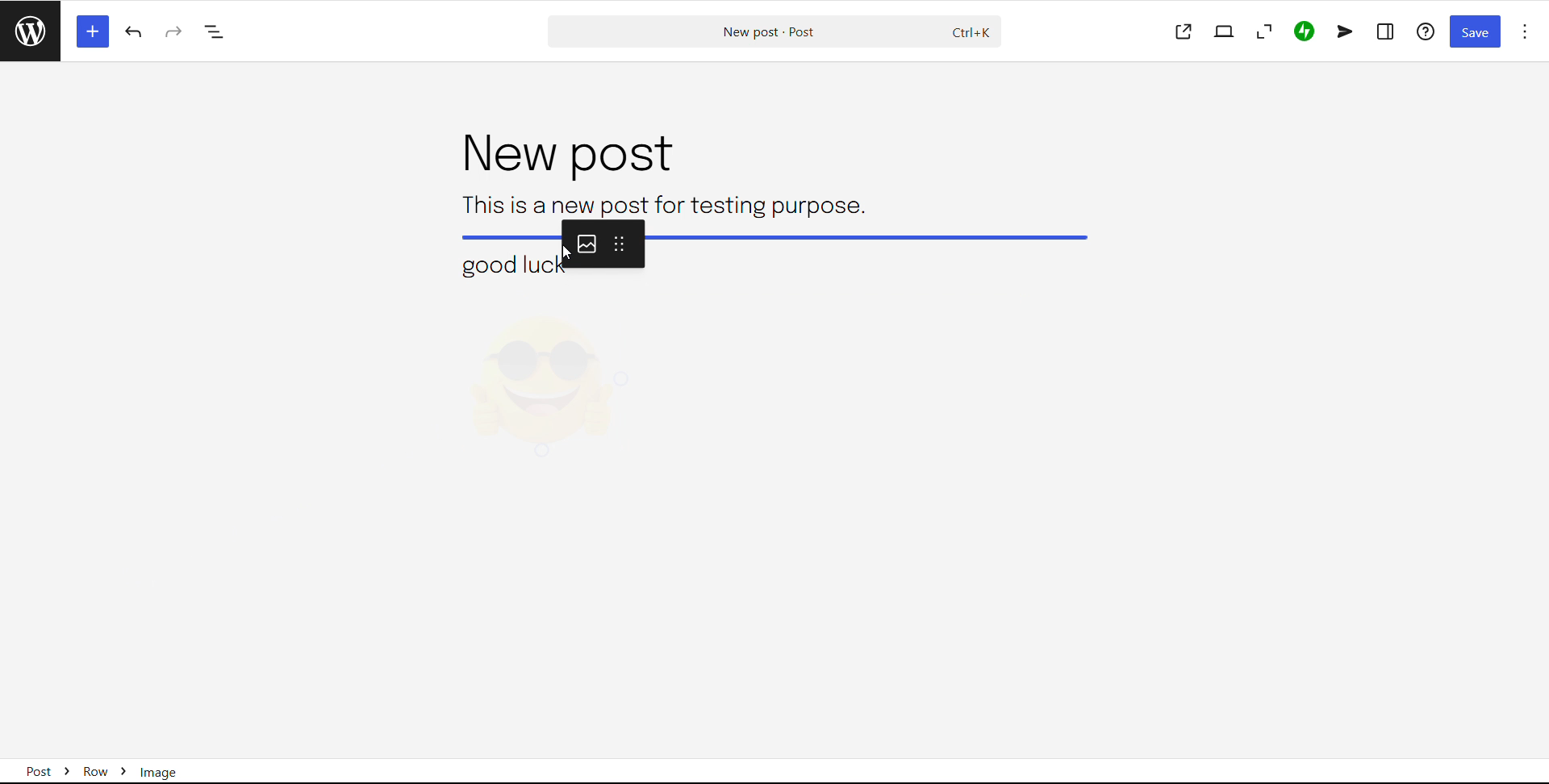 The width and height of the screenshot is (1549, 784). Describe the element at coordinates (546, 385) in the screenshot. I see `image selected` at that location.